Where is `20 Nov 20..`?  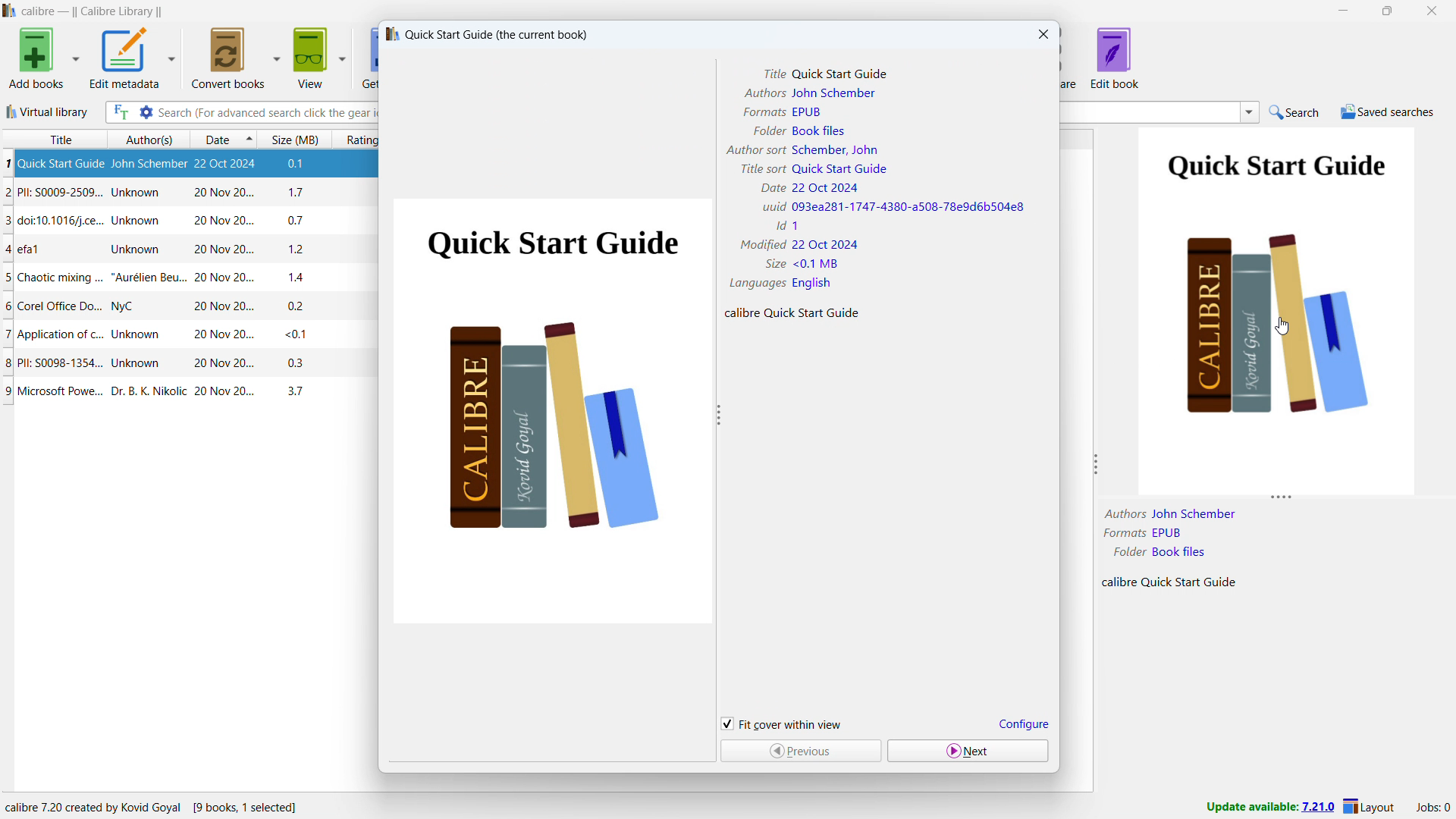 20 Nov 20.. is located at coordinates (215, 335).